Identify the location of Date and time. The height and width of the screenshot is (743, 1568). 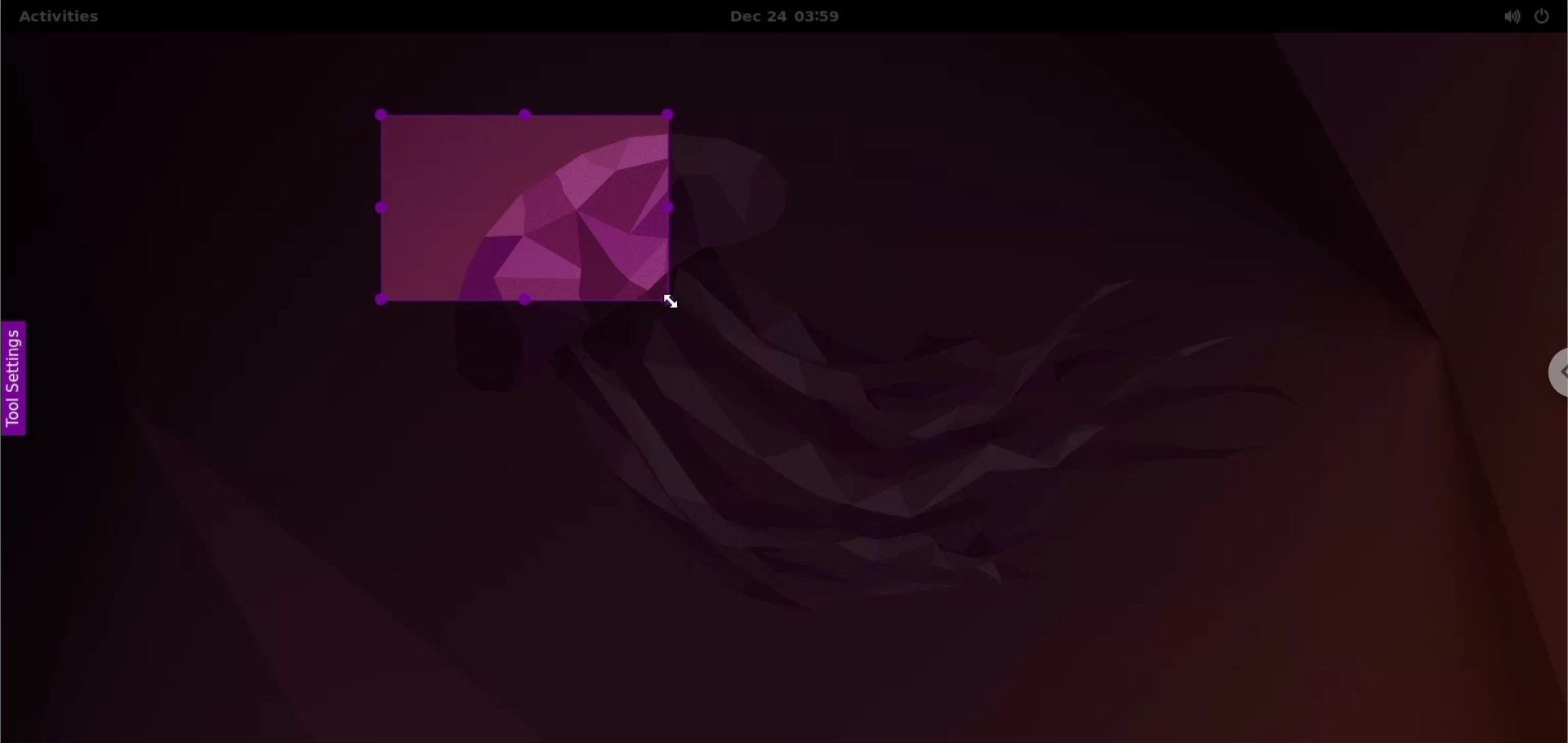
(797, 17).